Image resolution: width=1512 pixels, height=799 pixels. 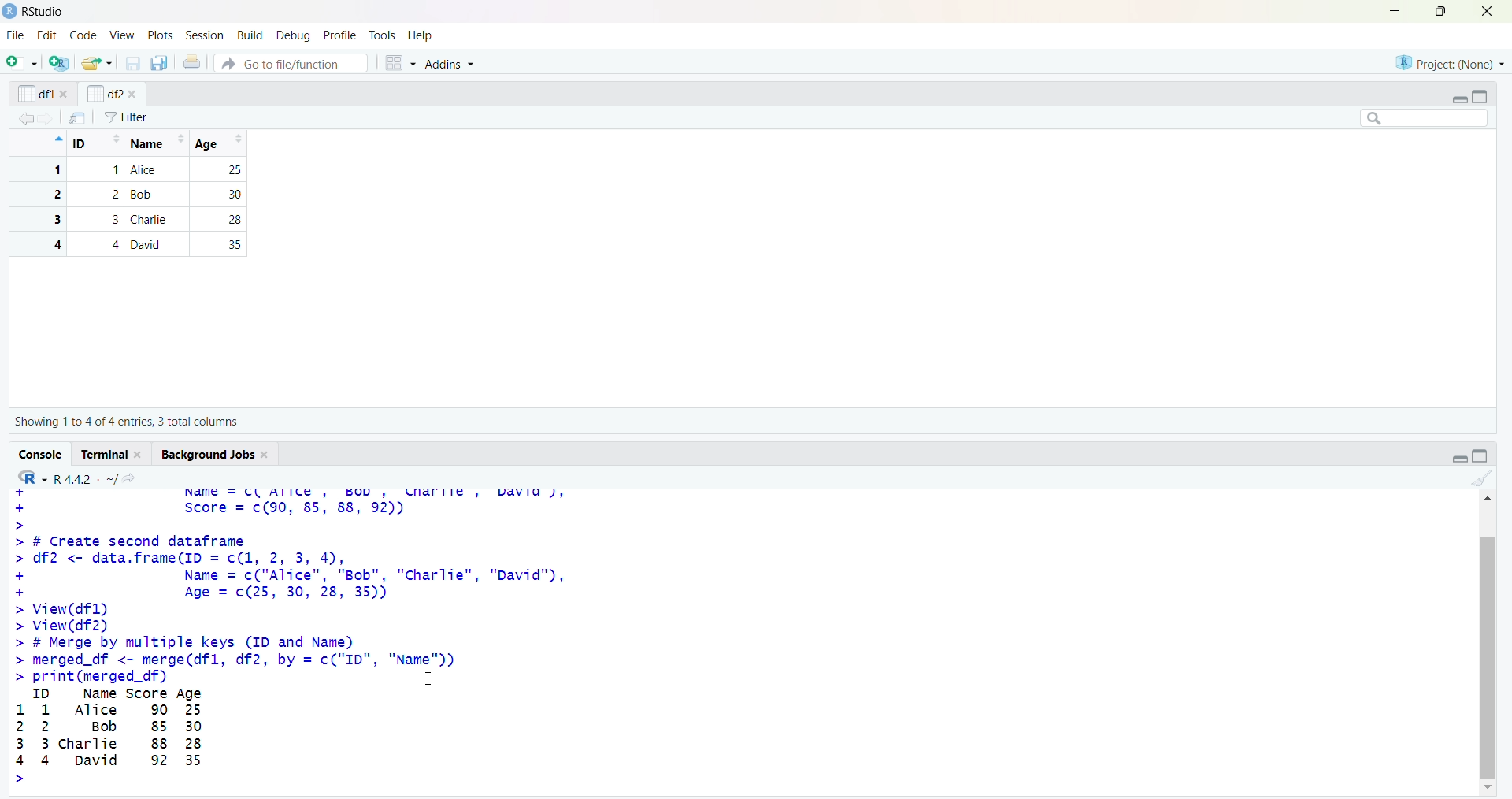 I want to click on Background jobs, so click(x=208, y=455).